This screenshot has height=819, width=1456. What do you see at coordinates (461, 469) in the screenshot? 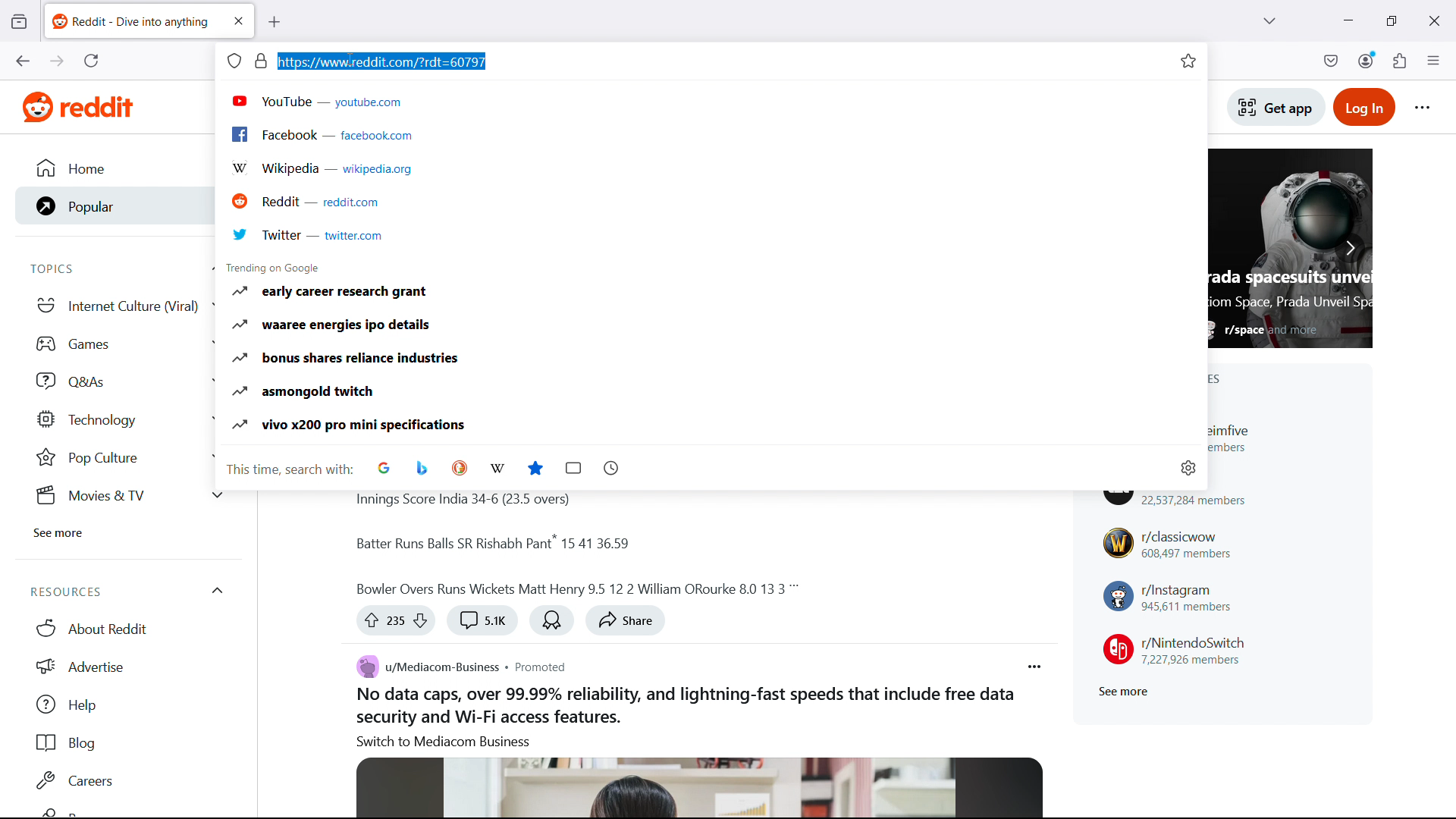
I see `Choose Duckduckgo` at bounding box center [461, 469].